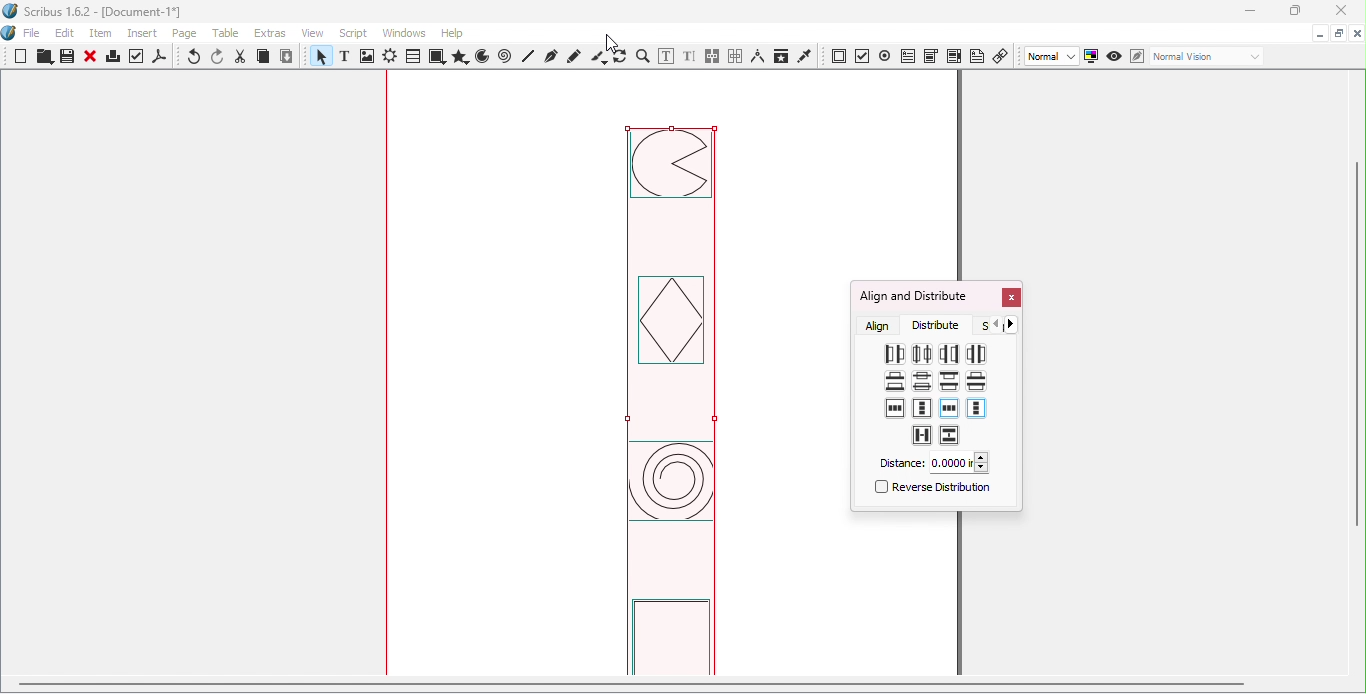 Image resolution: width=1366 pixels, height=694 pixels. What do you see at coordinates (356, 32) in the screenshot?
I see `Script` at bounding box center [356, 32].